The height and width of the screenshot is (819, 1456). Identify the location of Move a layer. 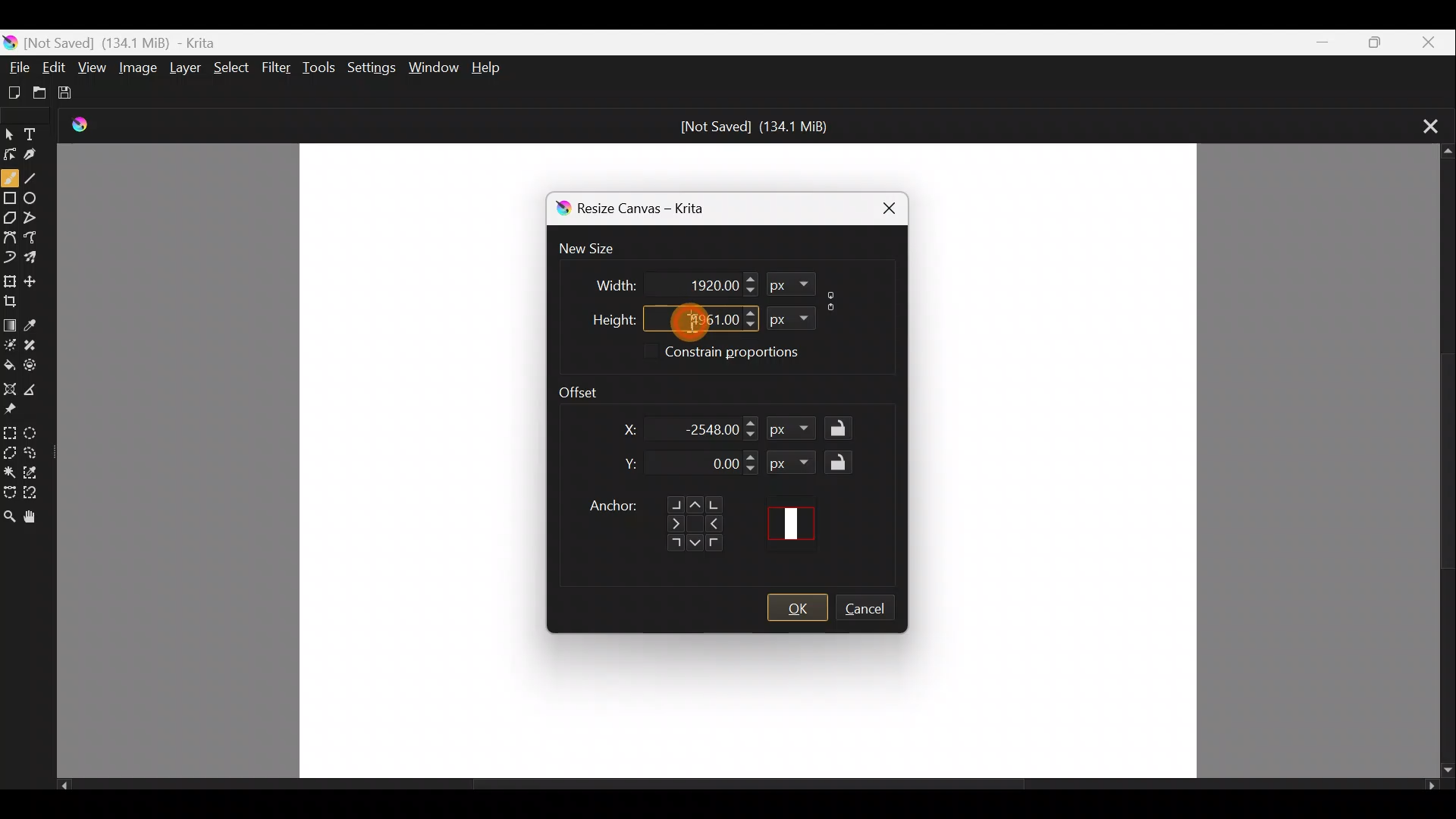
(36, 280).